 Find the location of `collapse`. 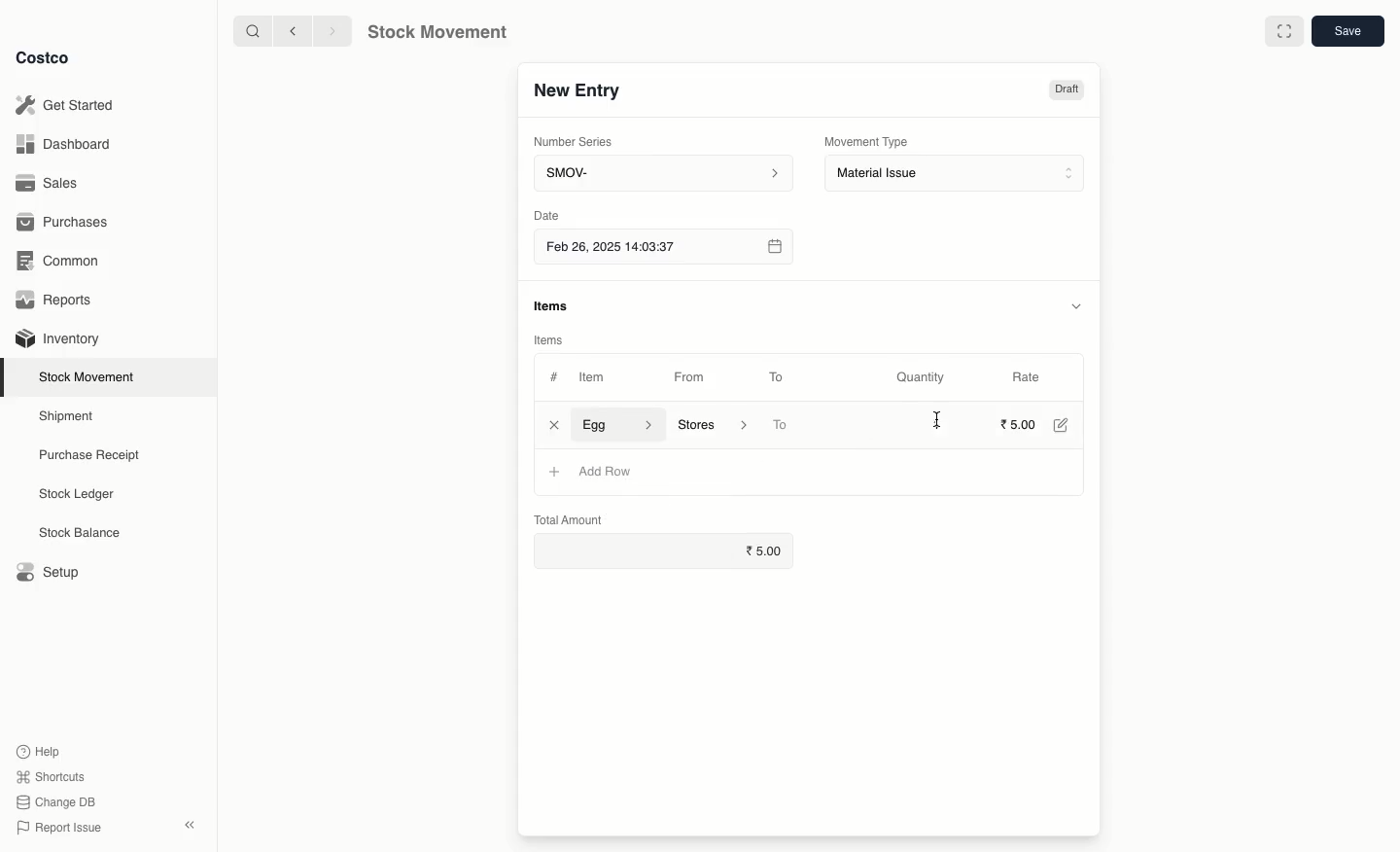

collapse is located at coordinates (189, 824).